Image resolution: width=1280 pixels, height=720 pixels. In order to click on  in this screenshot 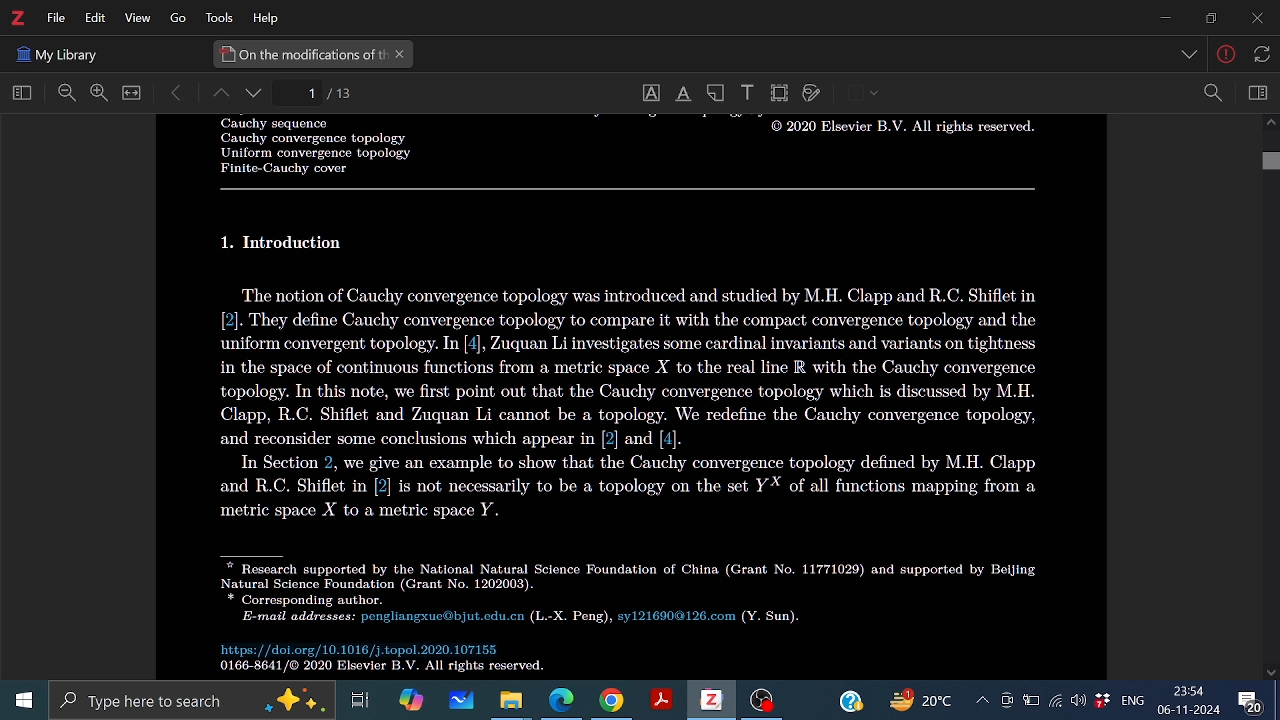, I will do `click(377, 659)`.